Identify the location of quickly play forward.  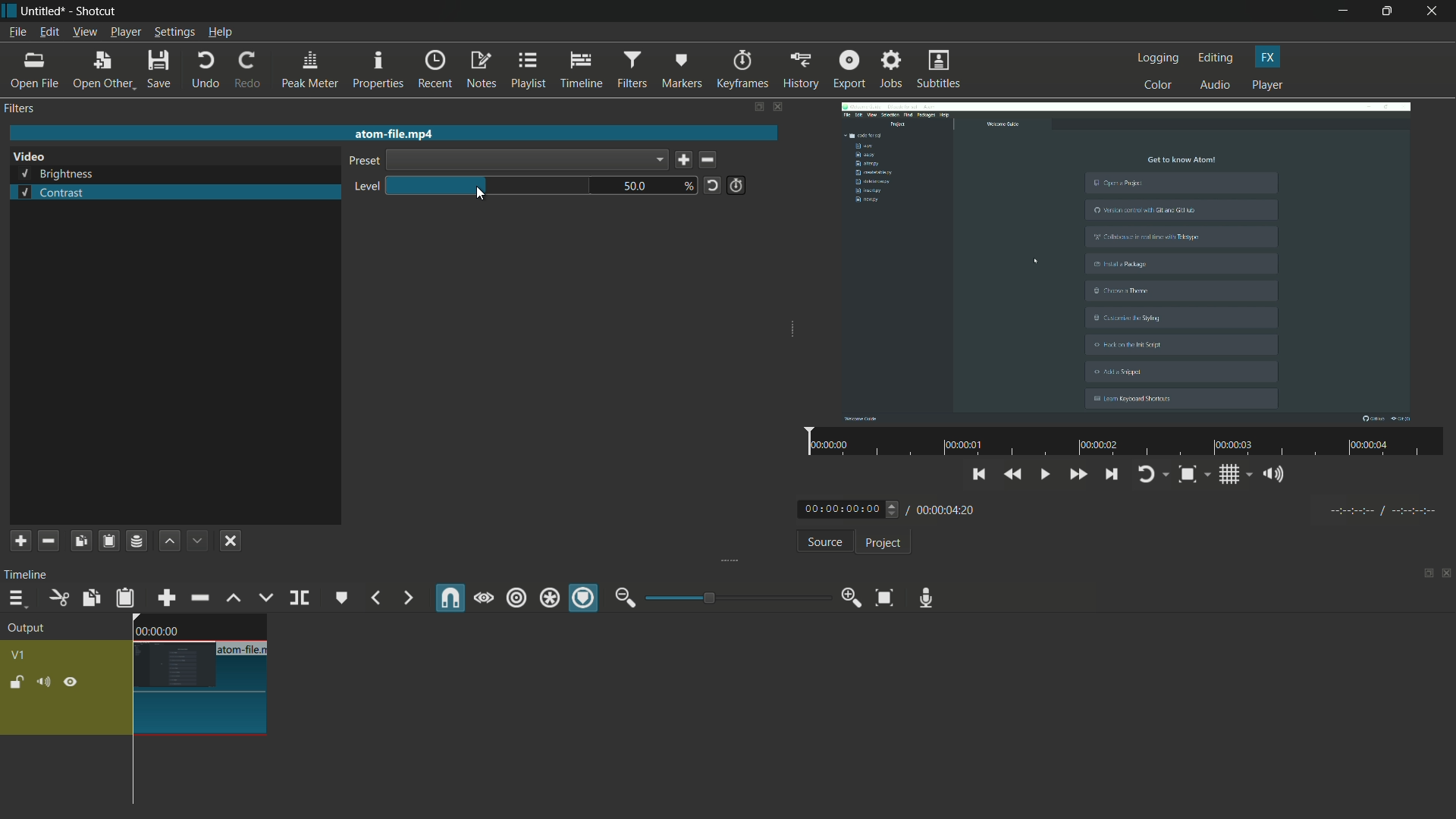
(1079, 476).